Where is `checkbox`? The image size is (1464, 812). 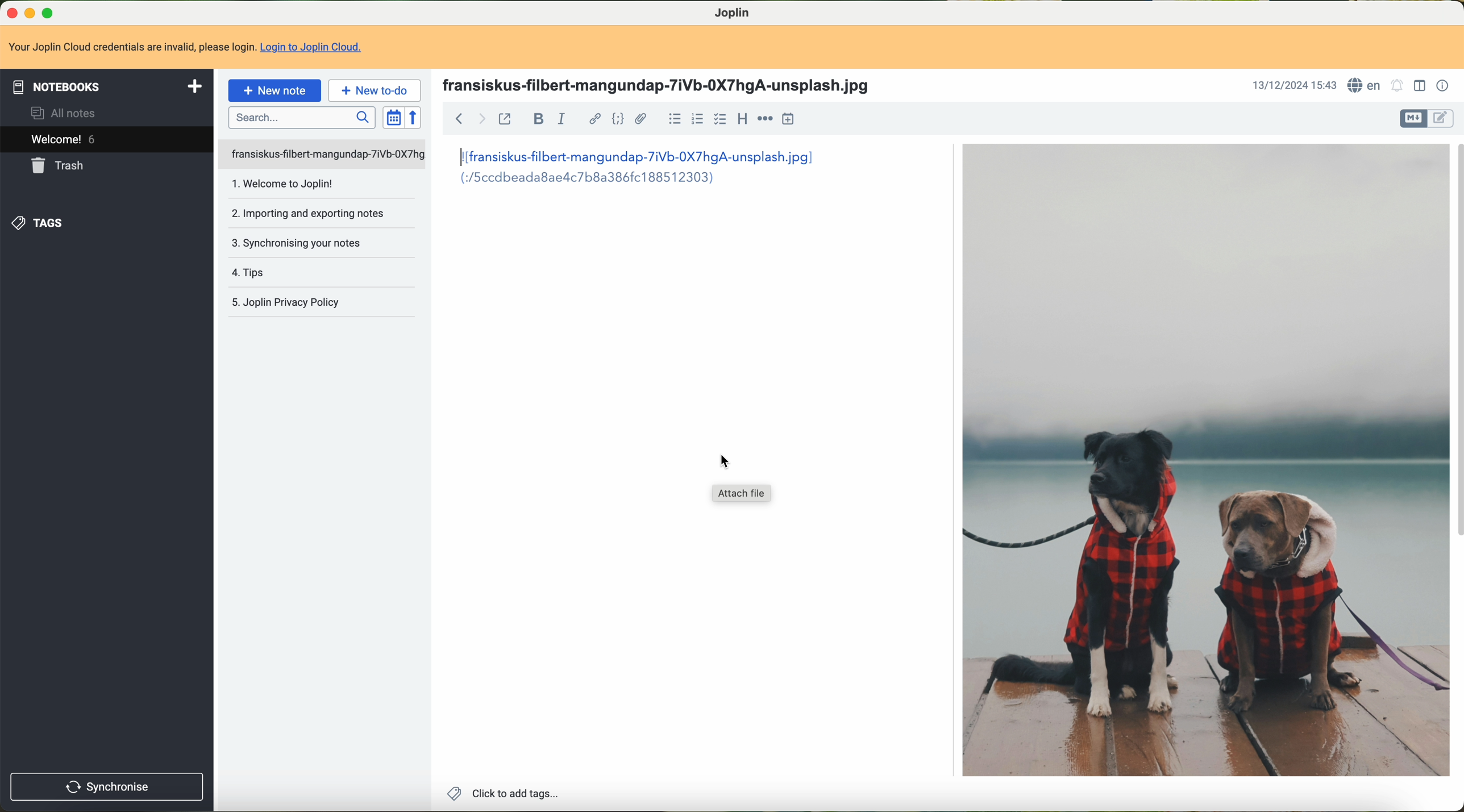 checkbox is located at coordinates (719, 119).